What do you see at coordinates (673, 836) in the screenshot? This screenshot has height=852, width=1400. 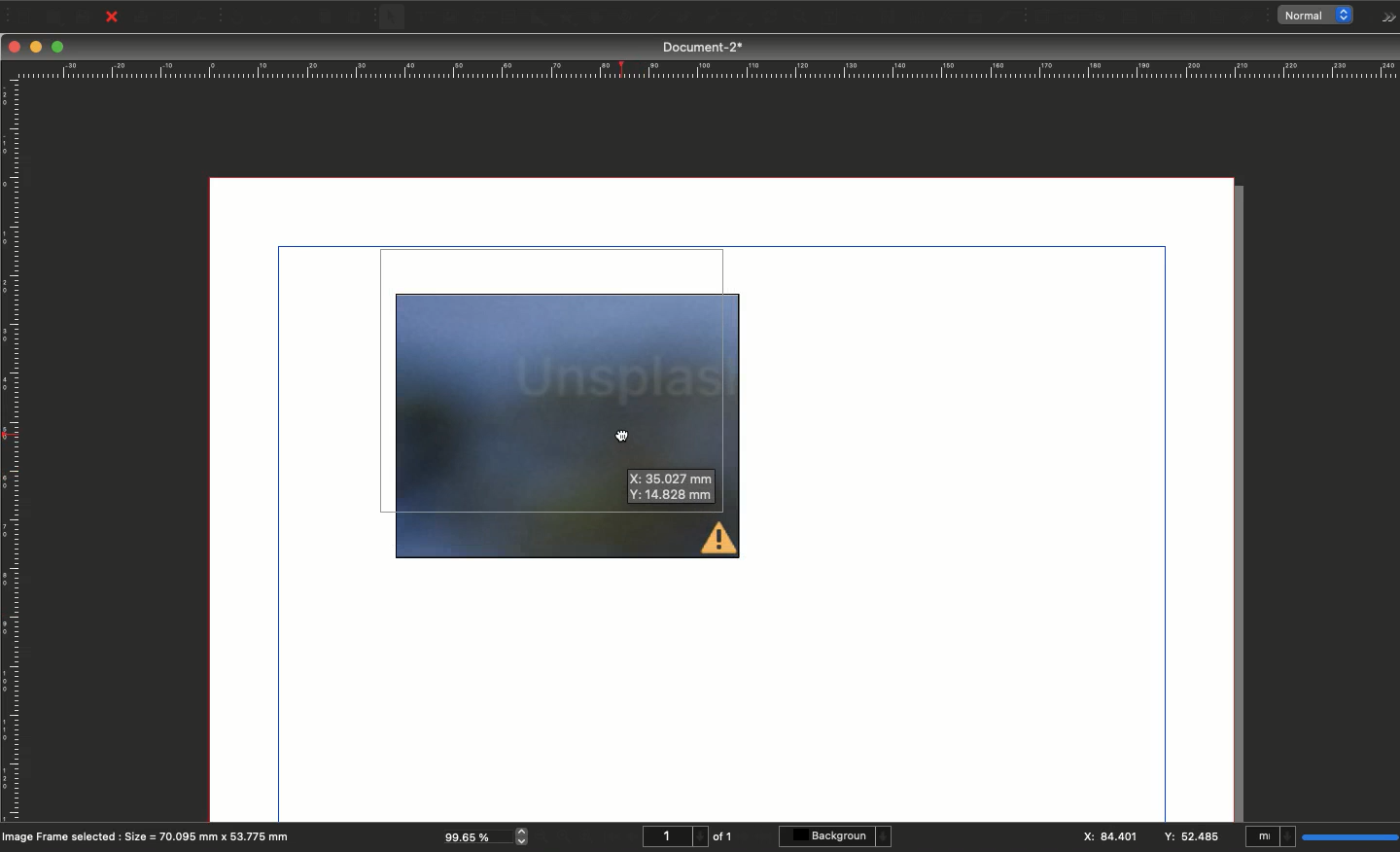 I see `1` at bounding box center [673, 836].